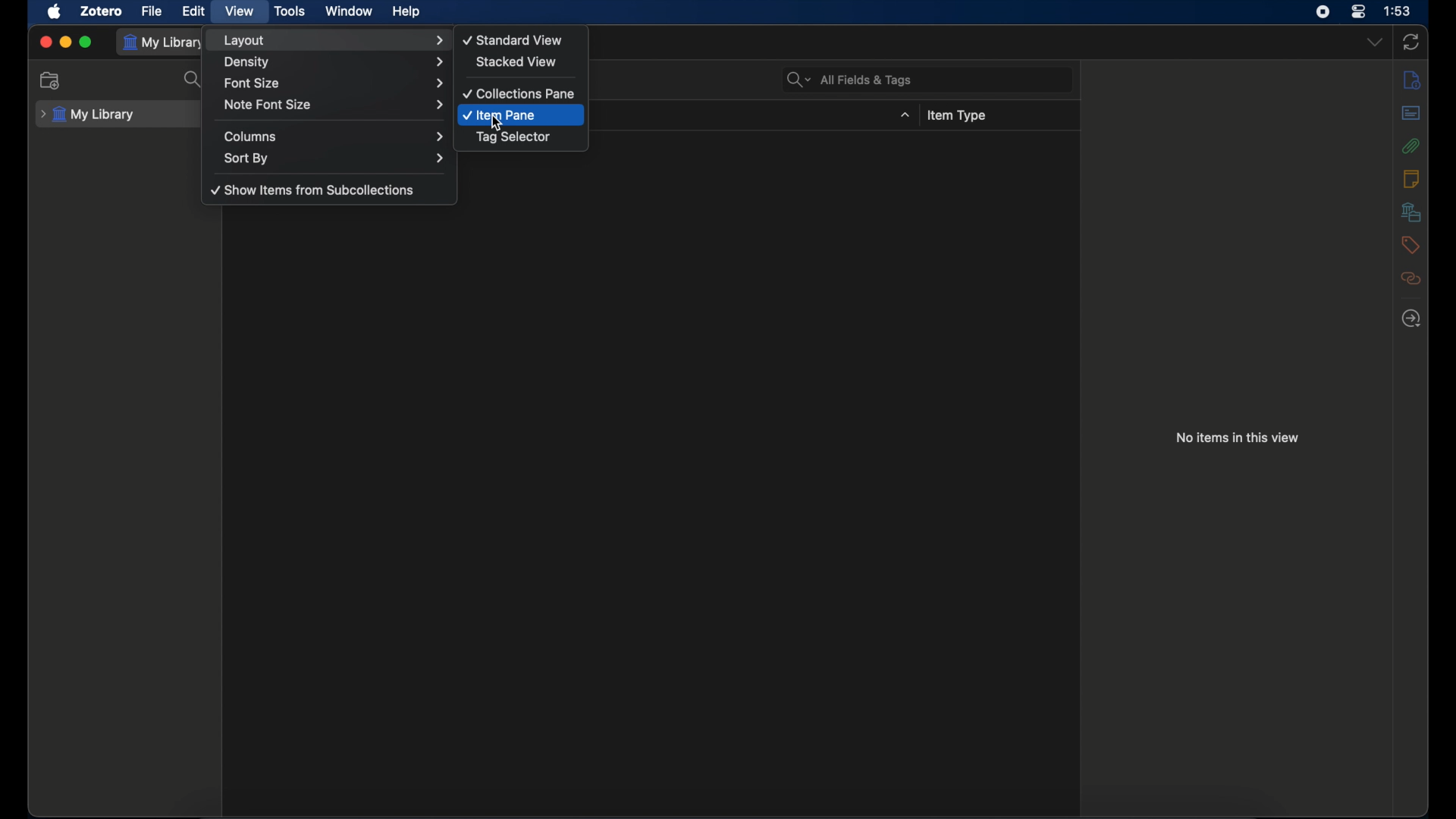 The width and height of the screenshot is (1456, 819). What do you see at coordinates (335, 62) in the screenshot?
I see `density` at bounding box center [335, 62].